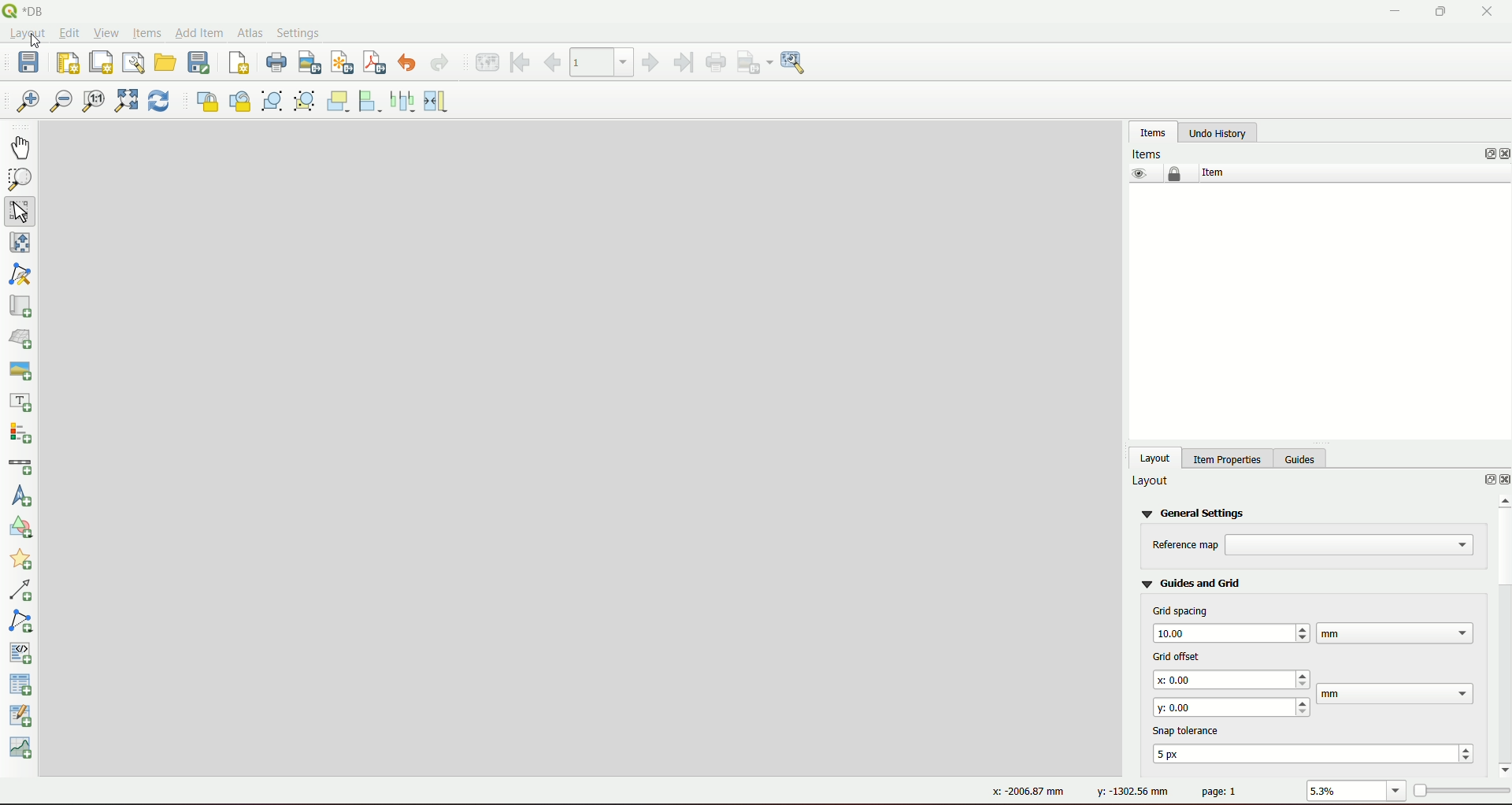 Image resolution: width=1512 pixels, height=805 pixels. Describe the element at coordinates (651, 63) in the screenshot. I see `next feature` at that location.